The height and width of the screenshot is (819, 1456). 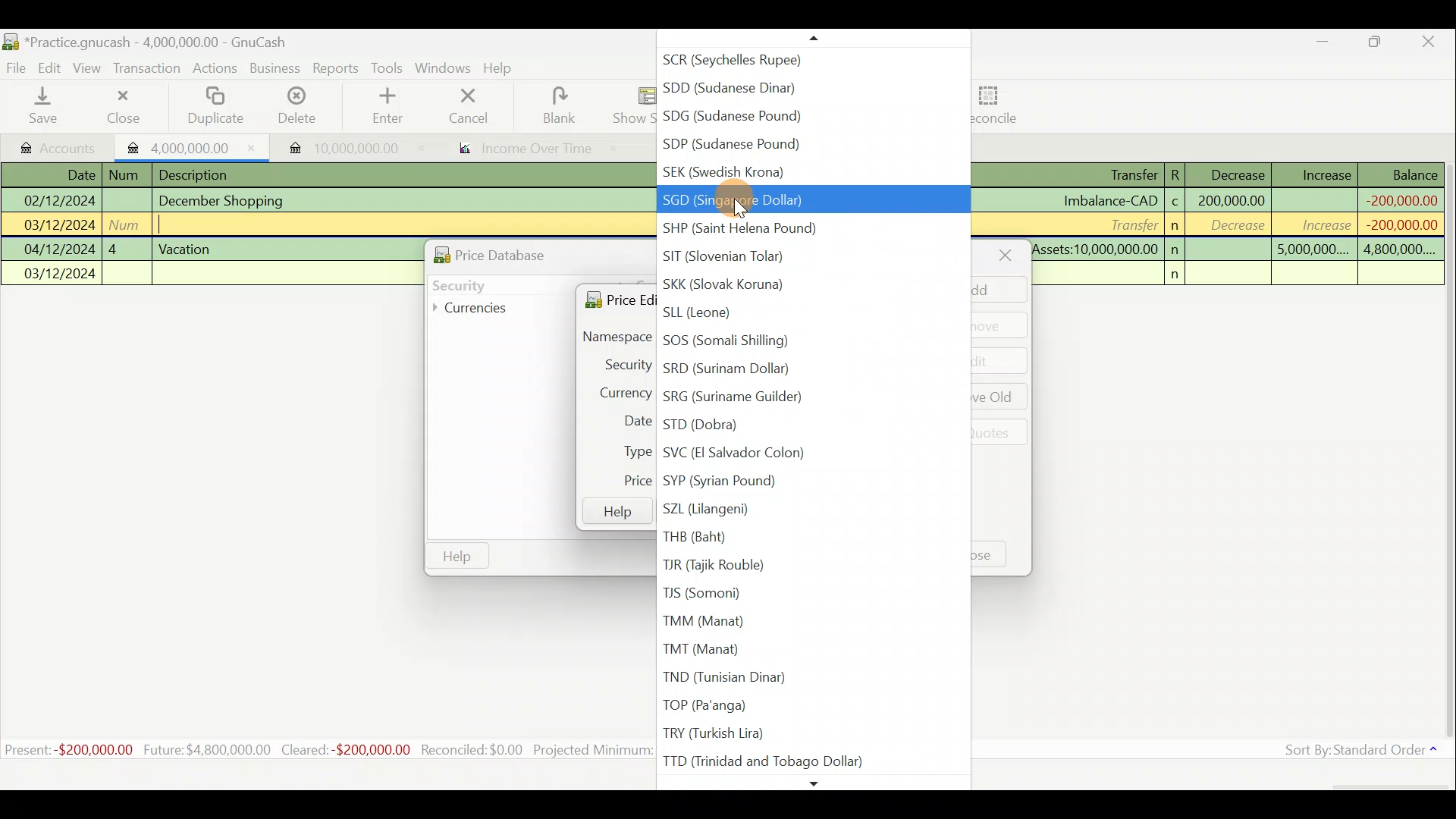 What do you see at coordinates (46, 107) in the screenshot?
I see `Save` at bounding box center [46, 107].